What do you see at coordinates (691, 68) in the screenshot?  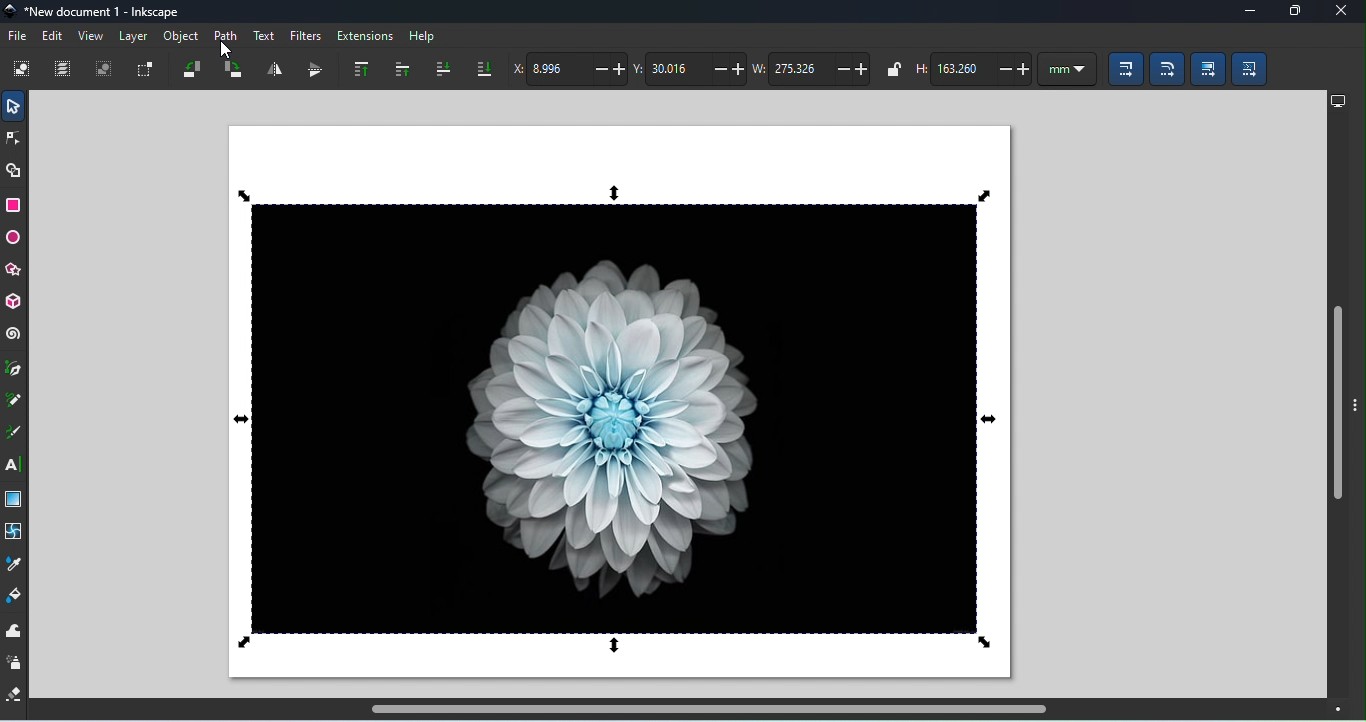 I see `Vertical coordinate of the selection` at bounding box center [691, 68].